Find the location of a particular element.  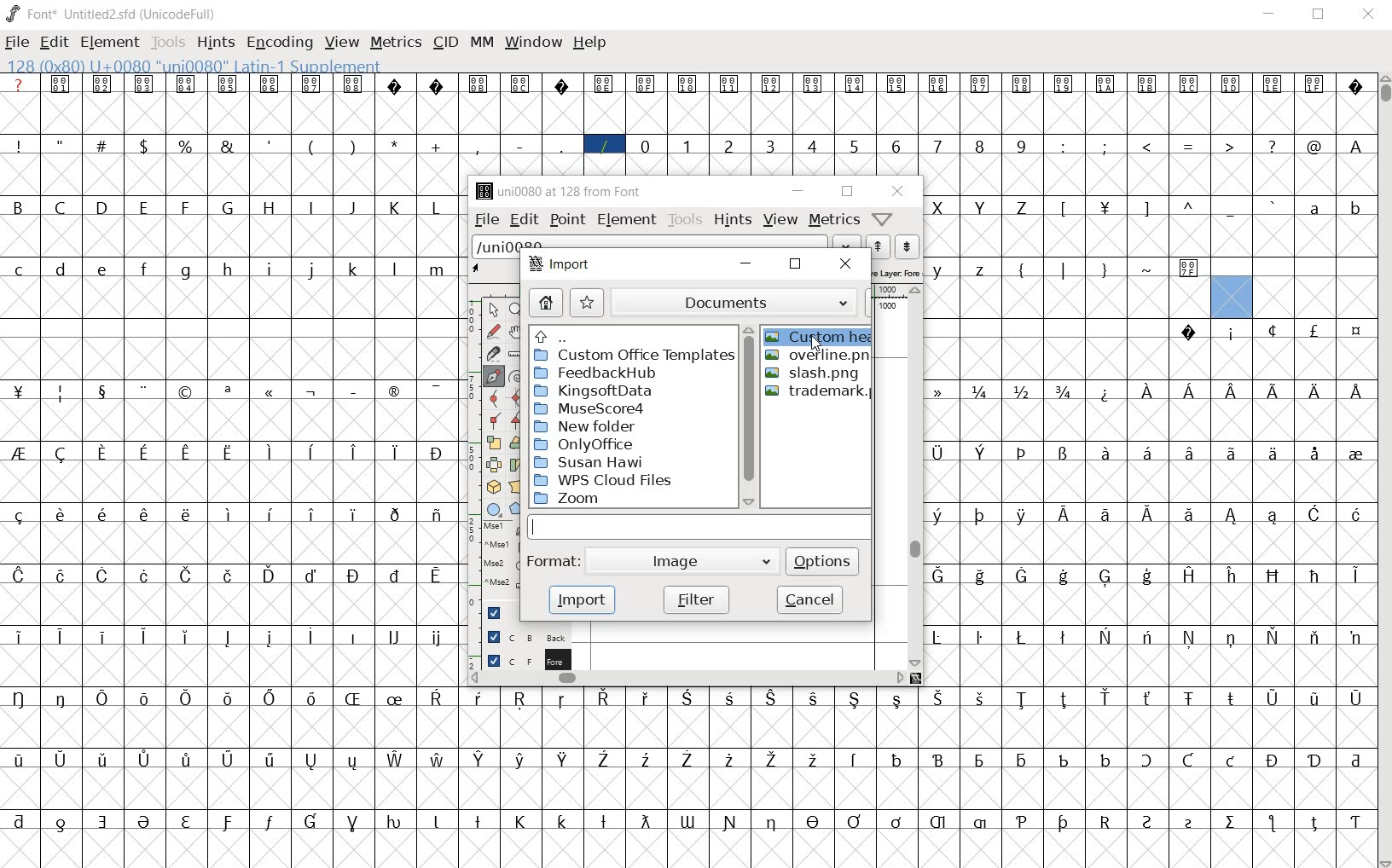

glyph is located at coordinates (1022, 391).